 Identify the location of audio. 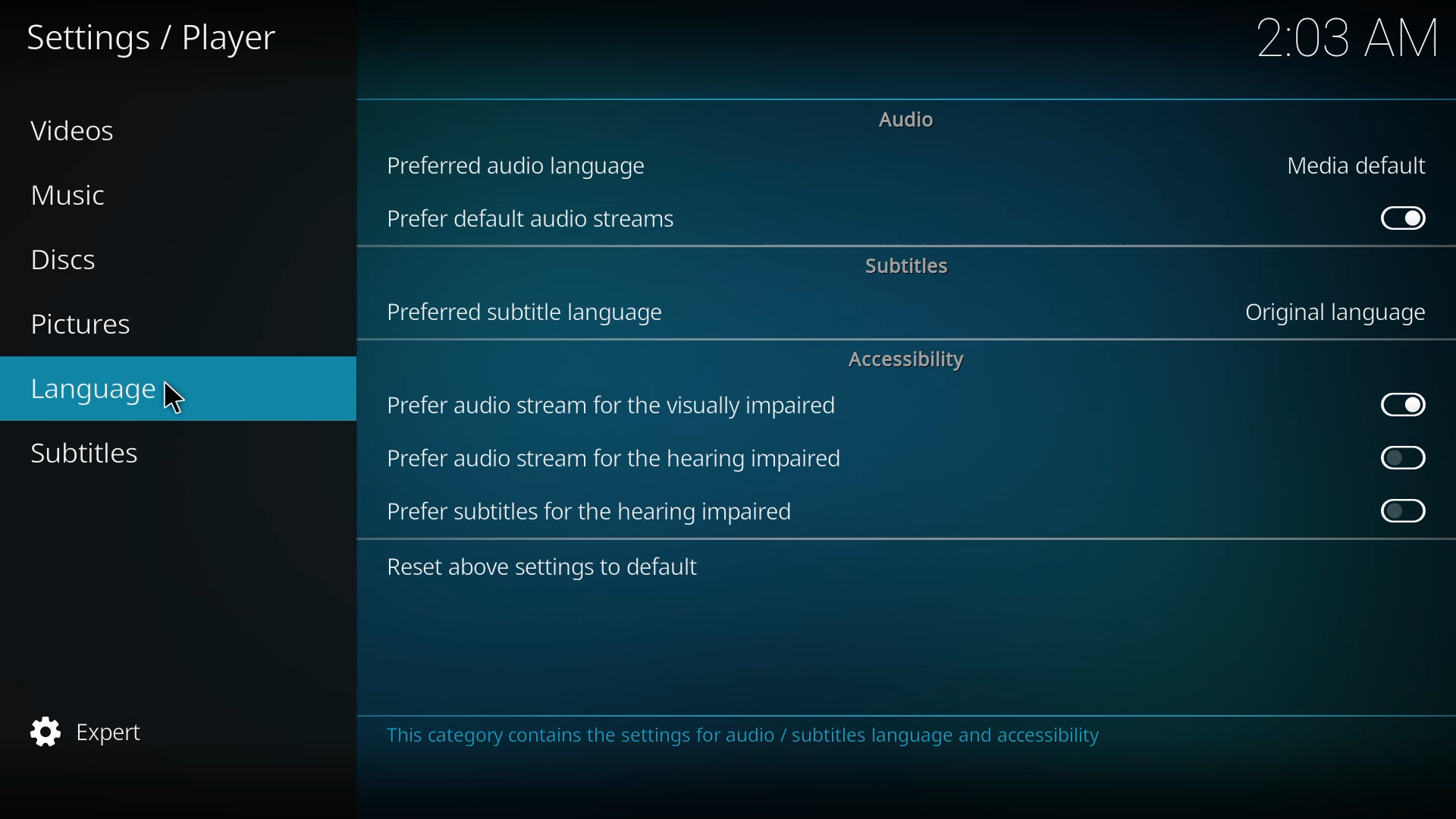
(906, 118).